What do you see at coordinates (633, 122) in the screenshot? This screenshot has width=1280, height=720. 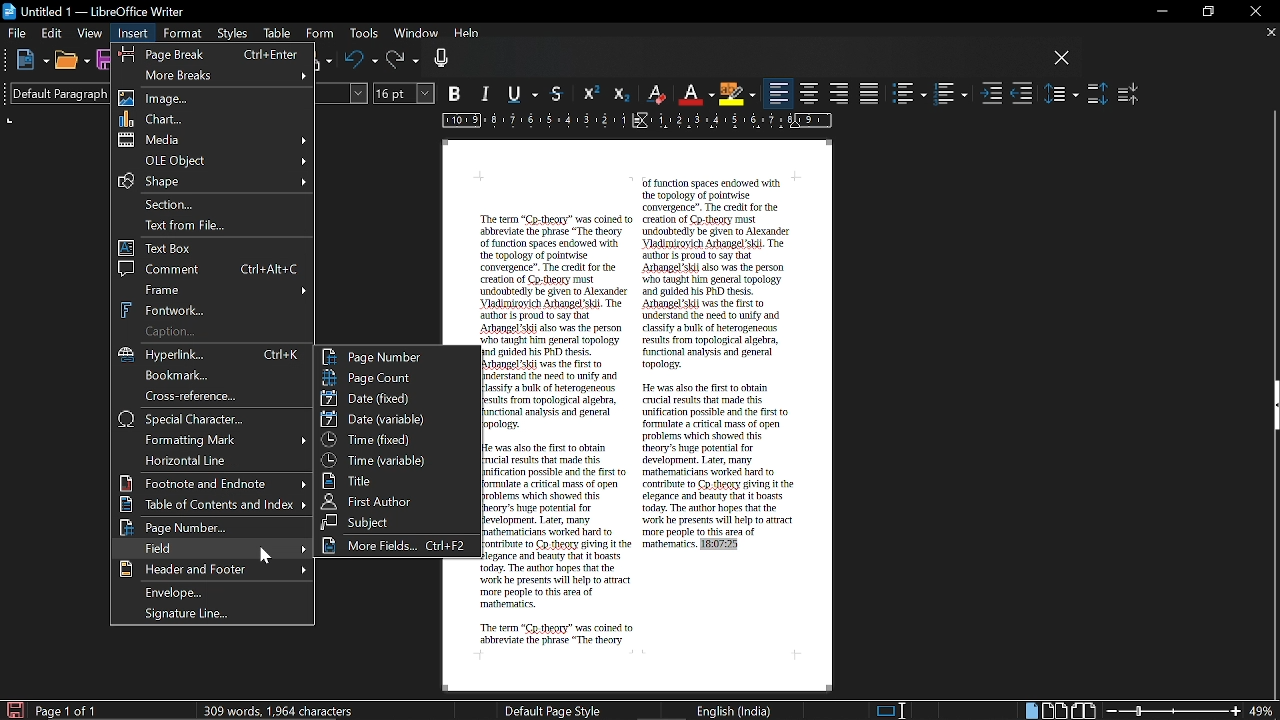 I see `Ruler` at bounding box center [633, 122].